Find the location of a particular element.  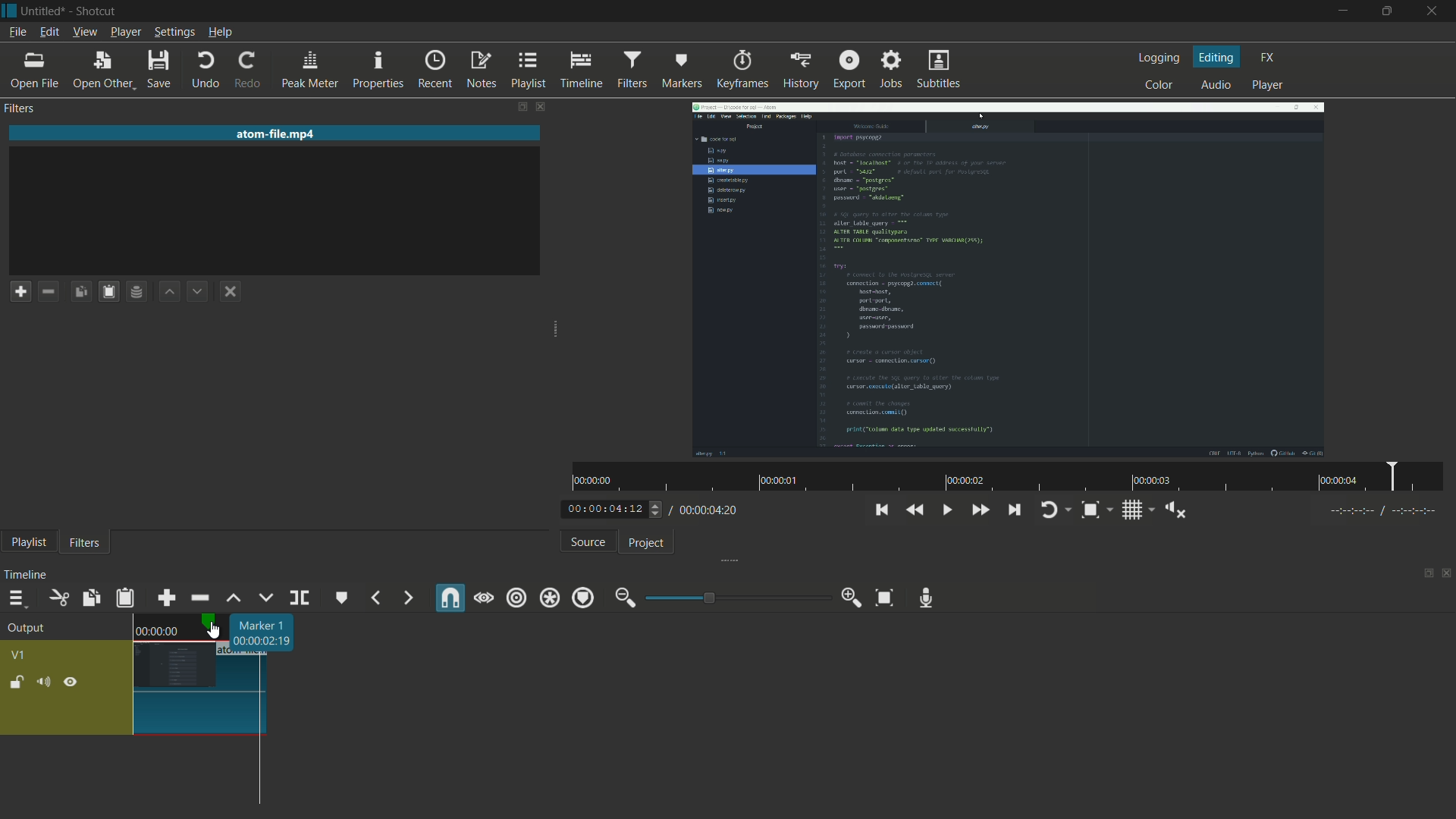

overwrite is located at coordinates (266, 597).